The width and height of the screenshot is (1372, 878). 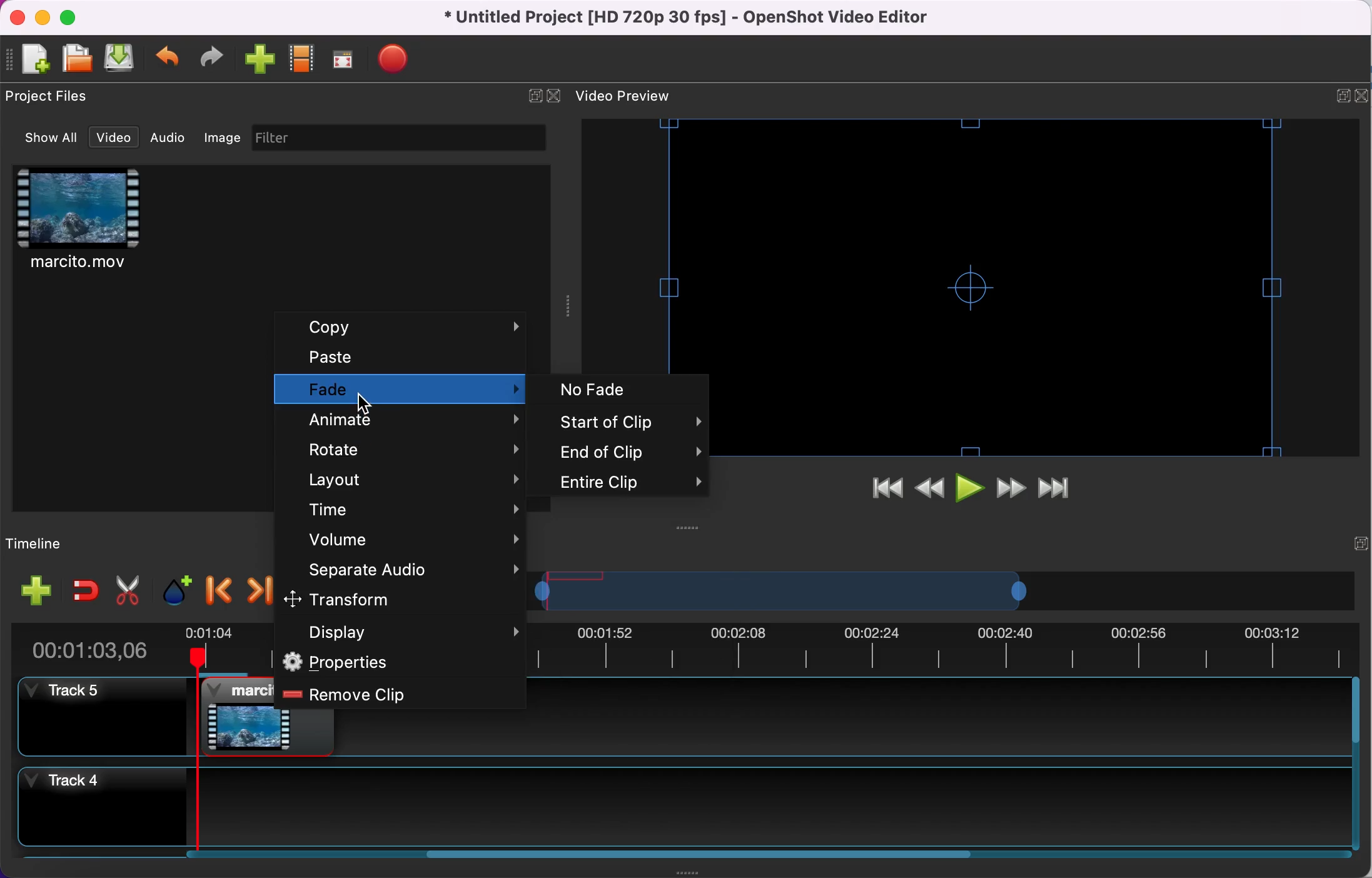 What do you see at coordinates (111, 137) in the screenshot?
I see `video` at bounding box center [111, 137].